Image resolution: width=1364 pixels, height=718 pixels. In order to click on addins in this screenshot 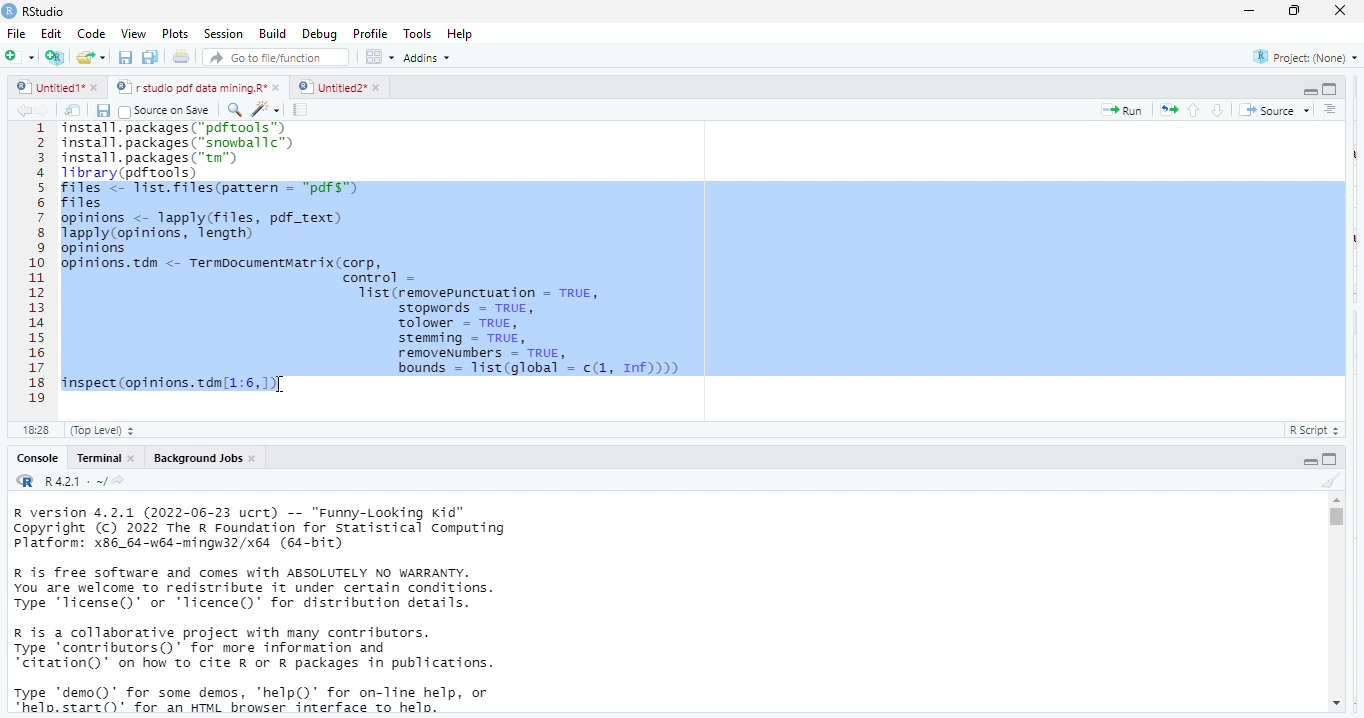, I will do `click(432, 57)`.